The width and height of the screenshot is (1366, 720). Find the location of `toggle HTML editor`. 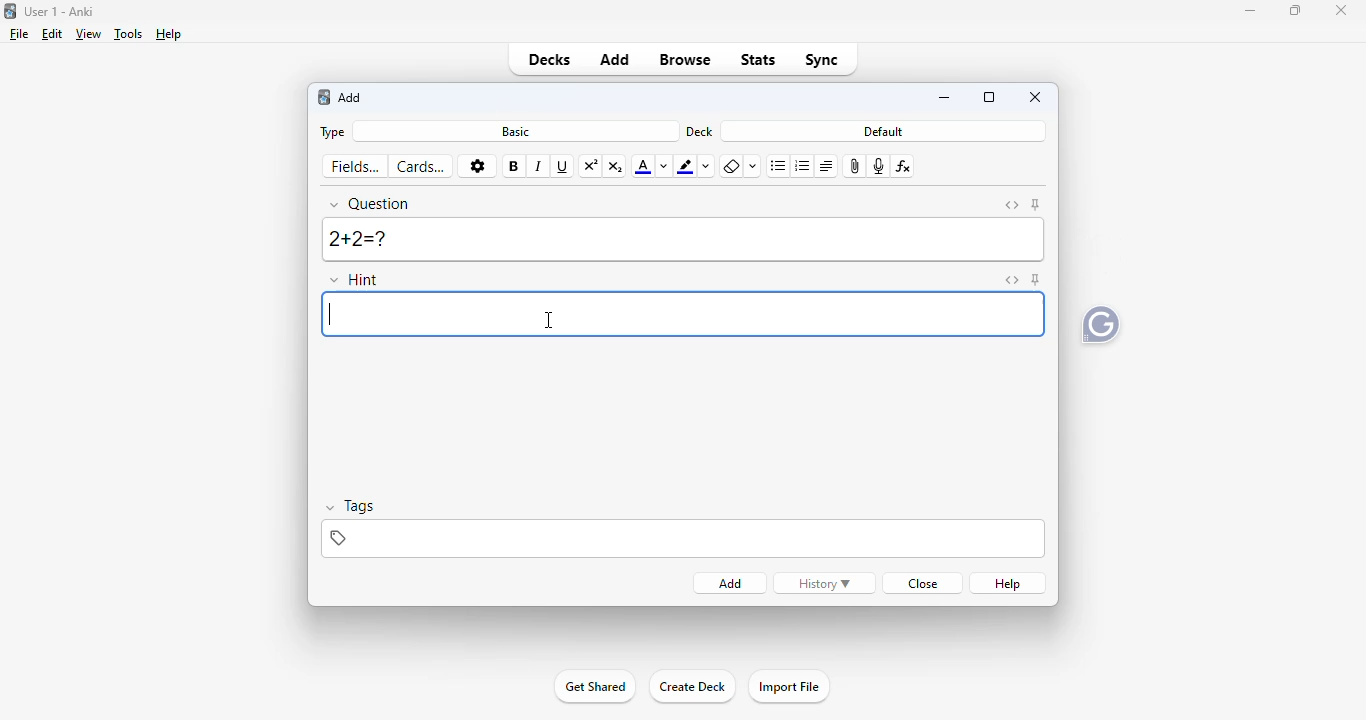

toggle HTML editor is located at coordinates (1013, 280).